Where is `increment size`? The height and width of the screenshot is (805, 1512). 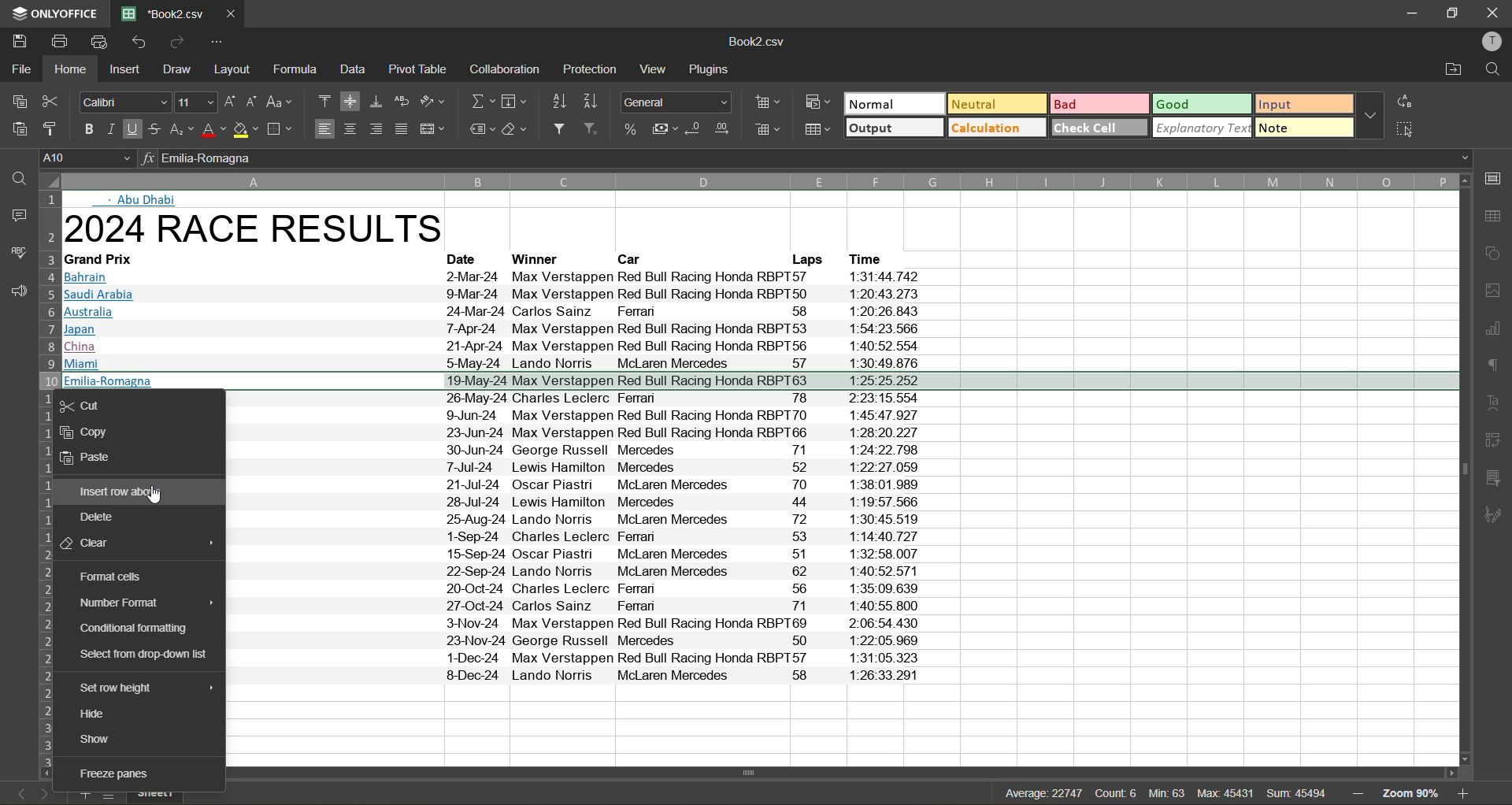 increment size is located at coordinates (230, 102).